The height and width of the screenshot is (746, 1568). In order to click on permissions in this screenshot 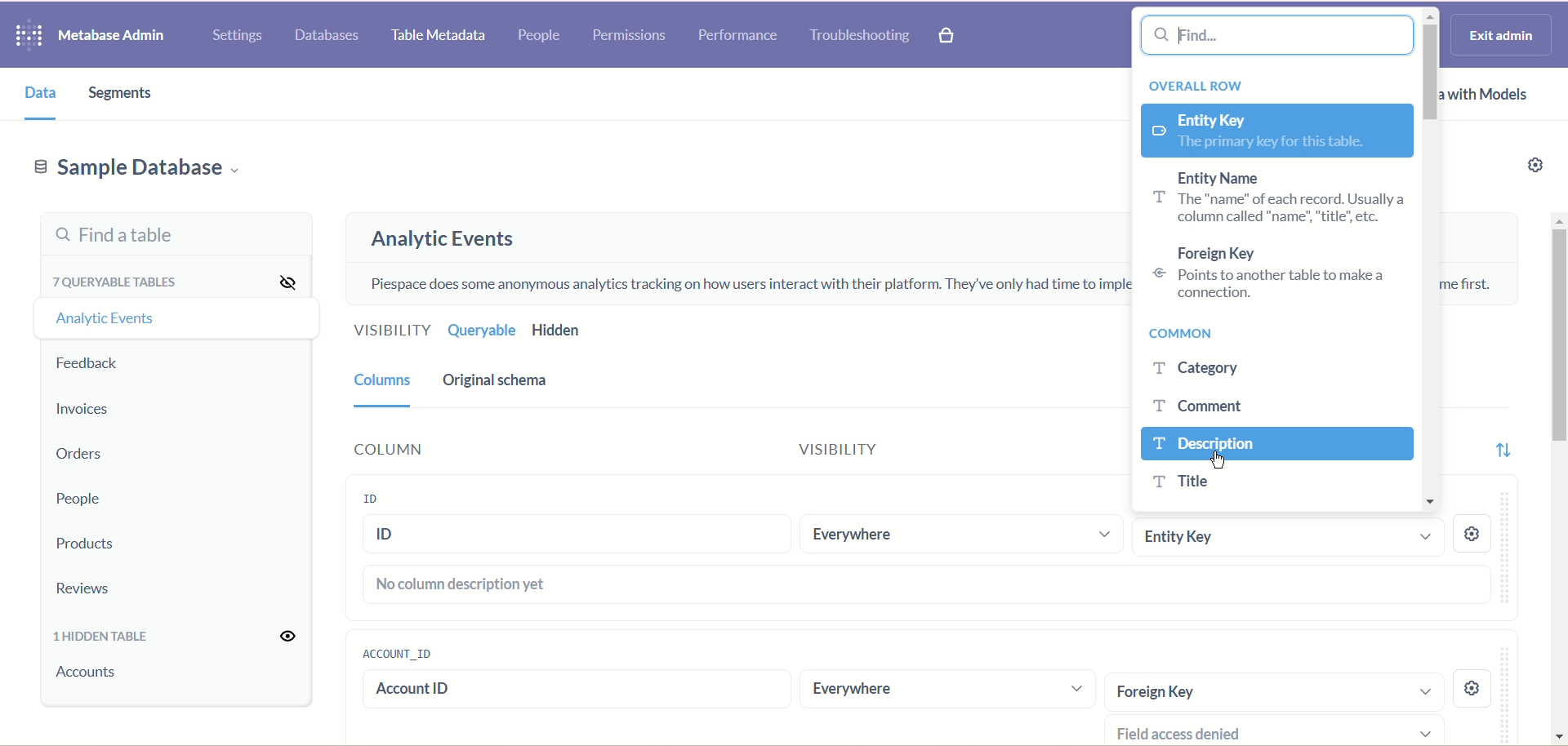, I will do `click(630, 36)`.